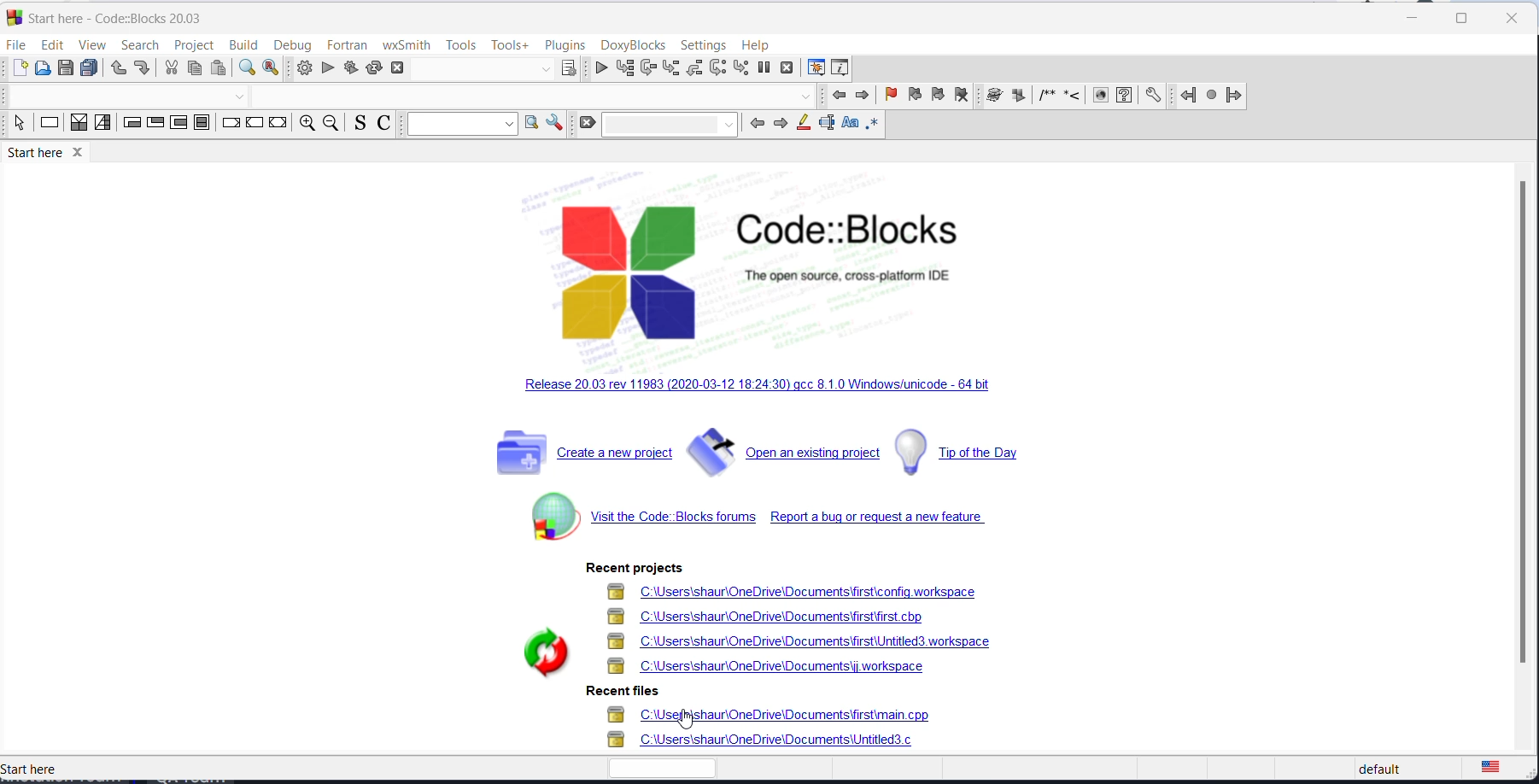 The image size is (1539, 784). What do you see at coordinates (619, 693) in the screenshot?
I see `recent files` at bounding box center [619, 693].